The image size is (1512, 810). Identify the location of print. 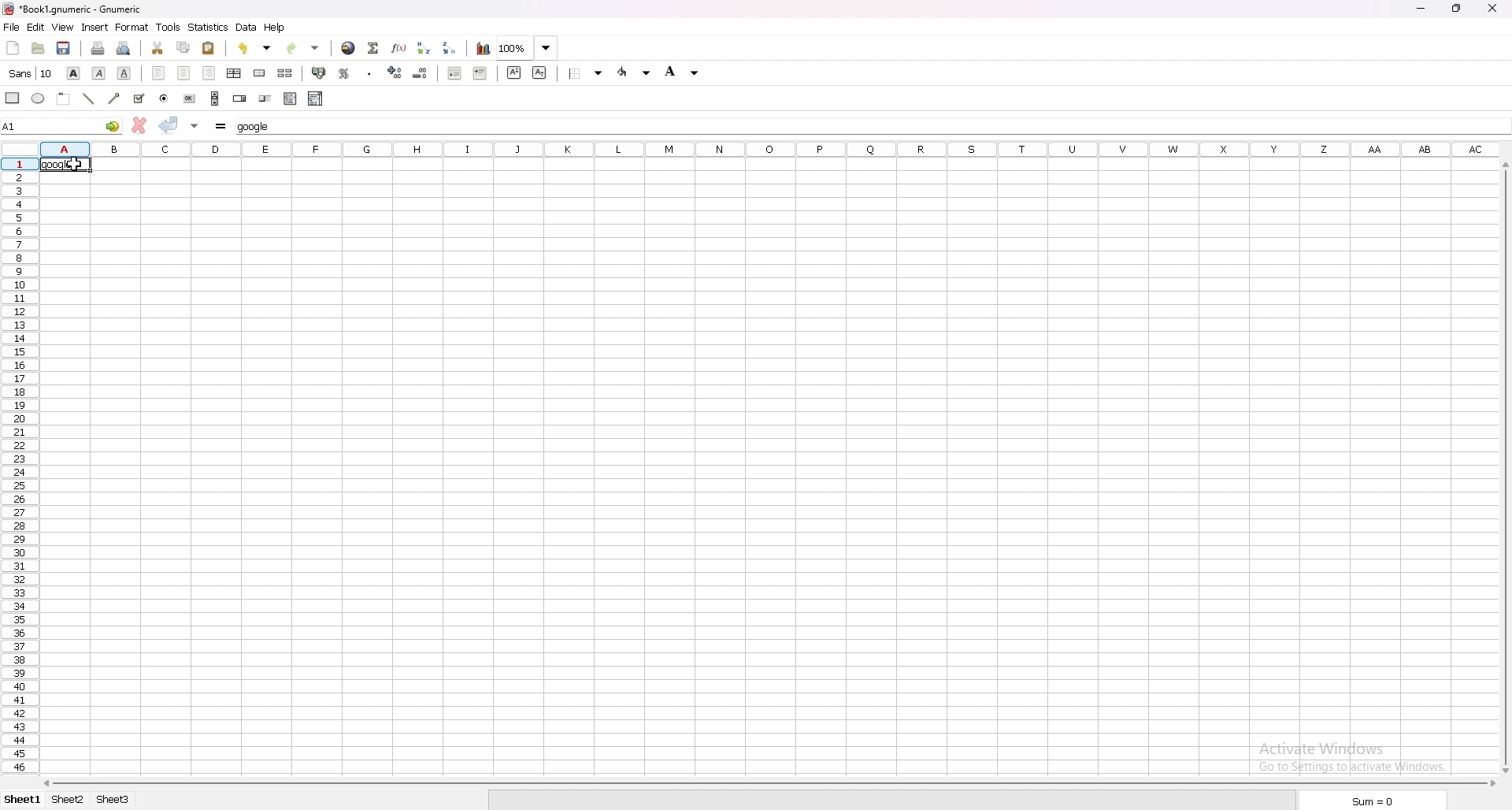
(98, 48).